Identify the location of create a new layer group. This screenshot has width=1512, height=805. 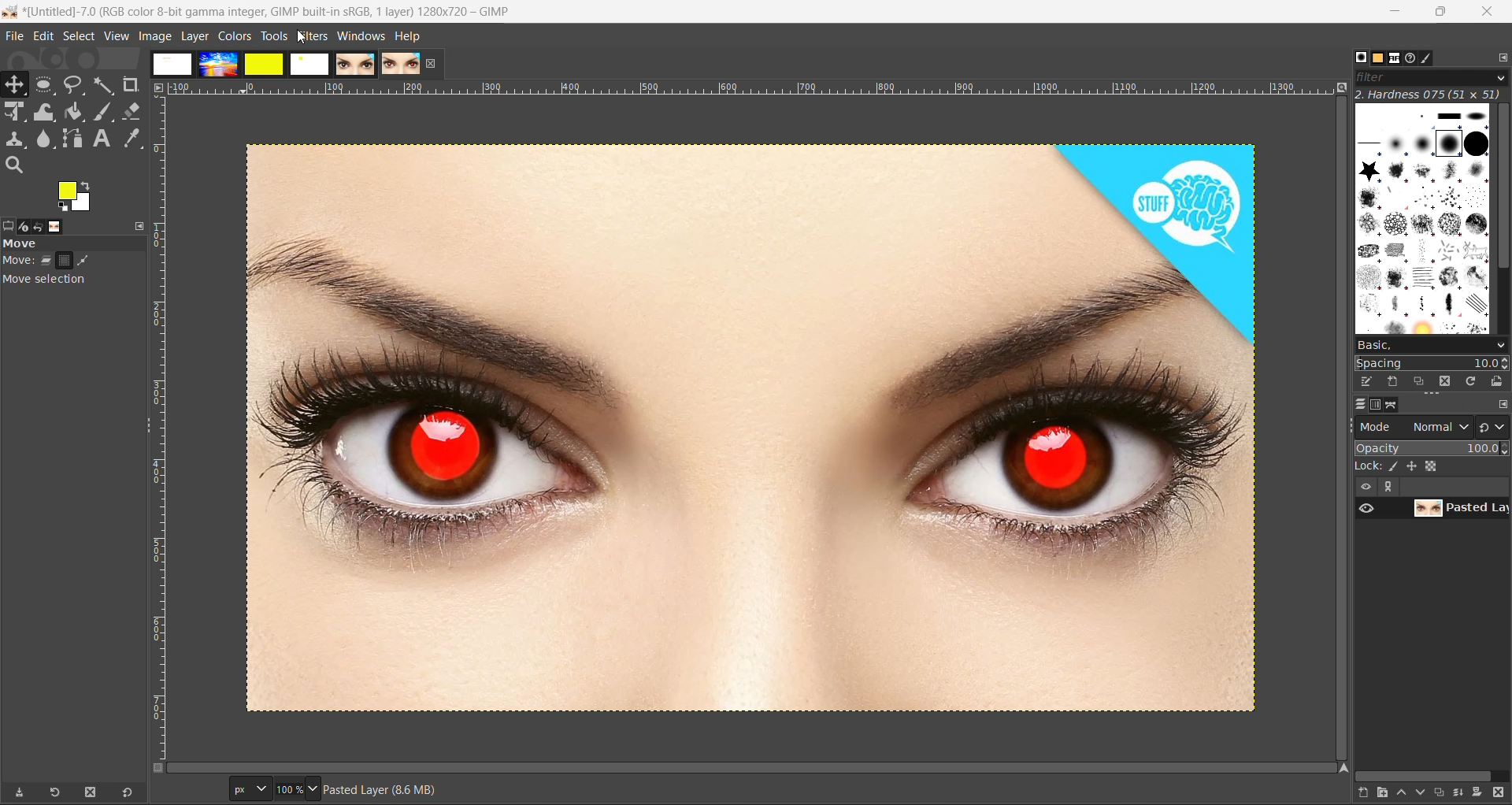
(1376, 794).